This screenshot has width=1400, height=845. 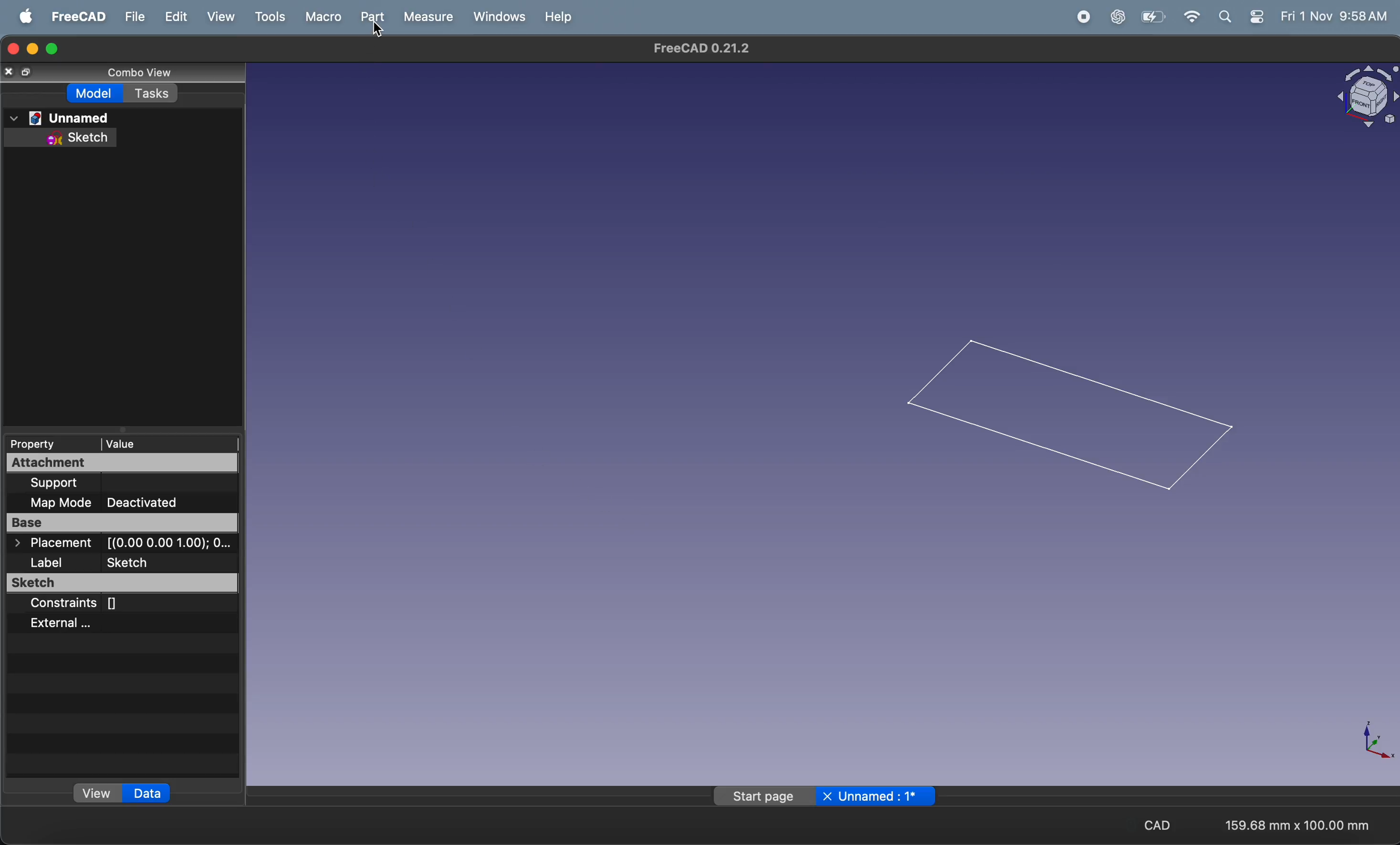 I want to click on sketch, so click(x=116, y=584).